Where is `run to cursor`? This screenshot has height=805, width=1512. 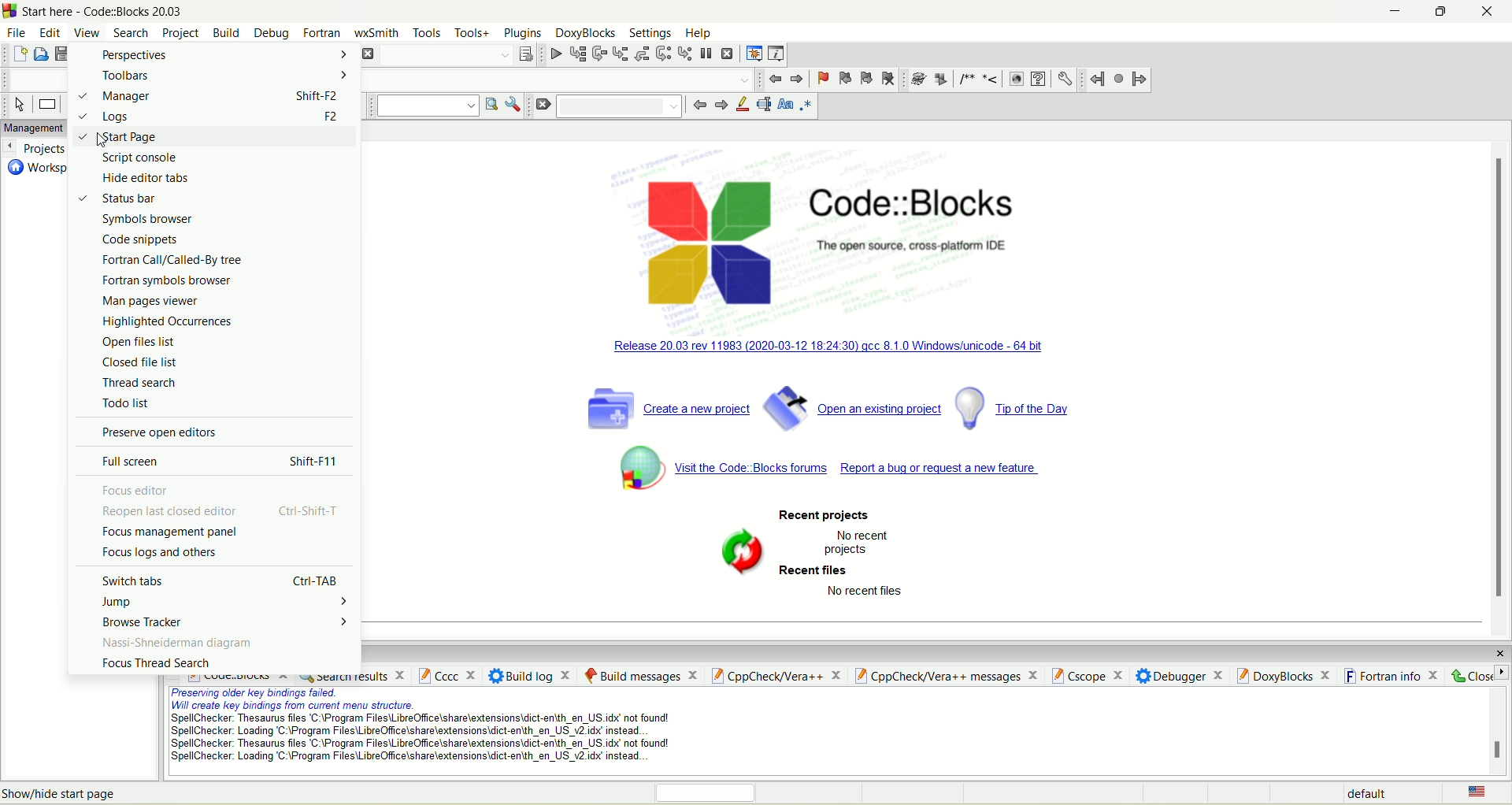 run to cursor is located at coordinates (576, 54).